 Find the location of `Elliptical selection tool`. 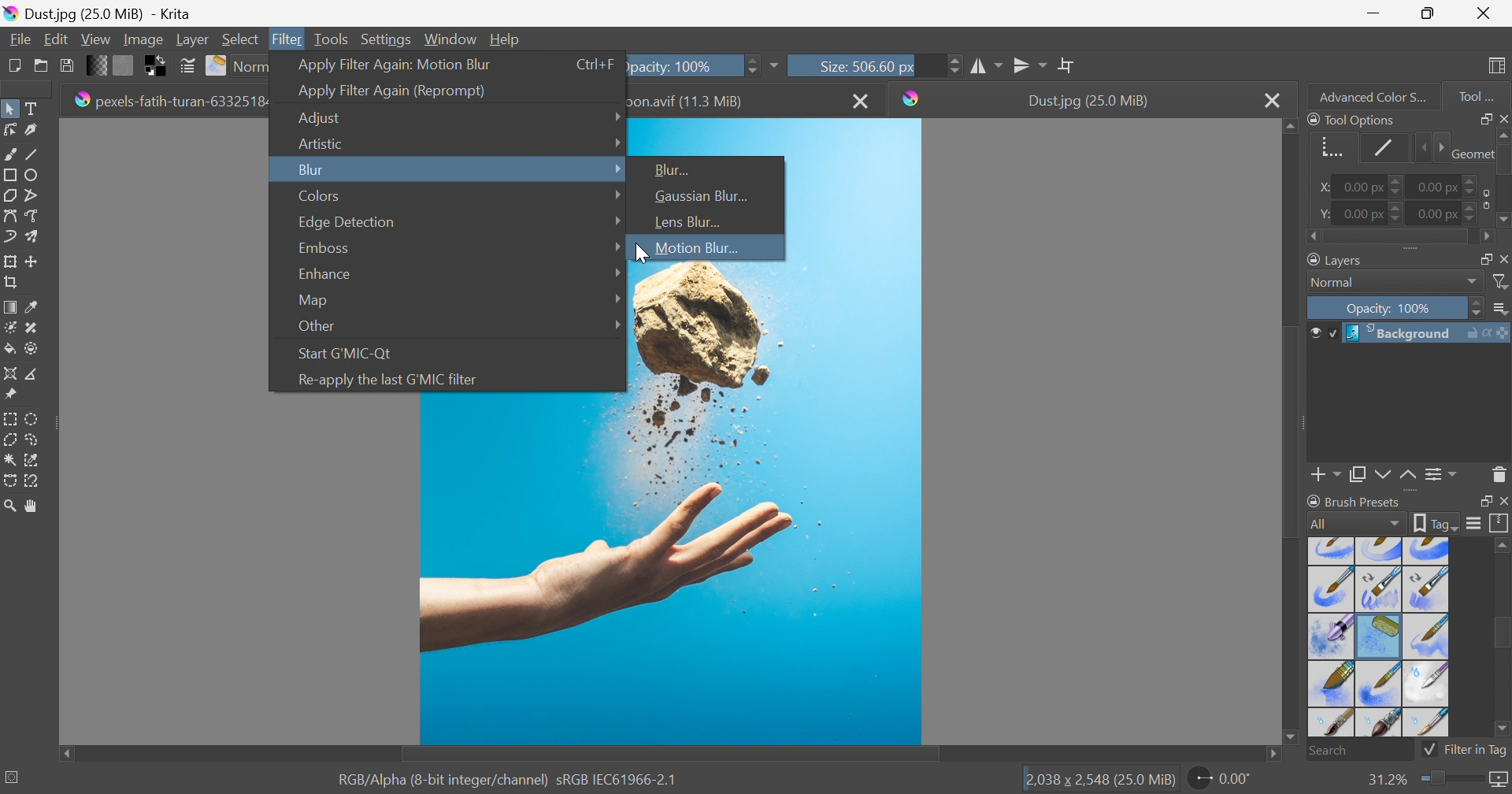

Elliptical selection tool is located at coordinates (33, 418).